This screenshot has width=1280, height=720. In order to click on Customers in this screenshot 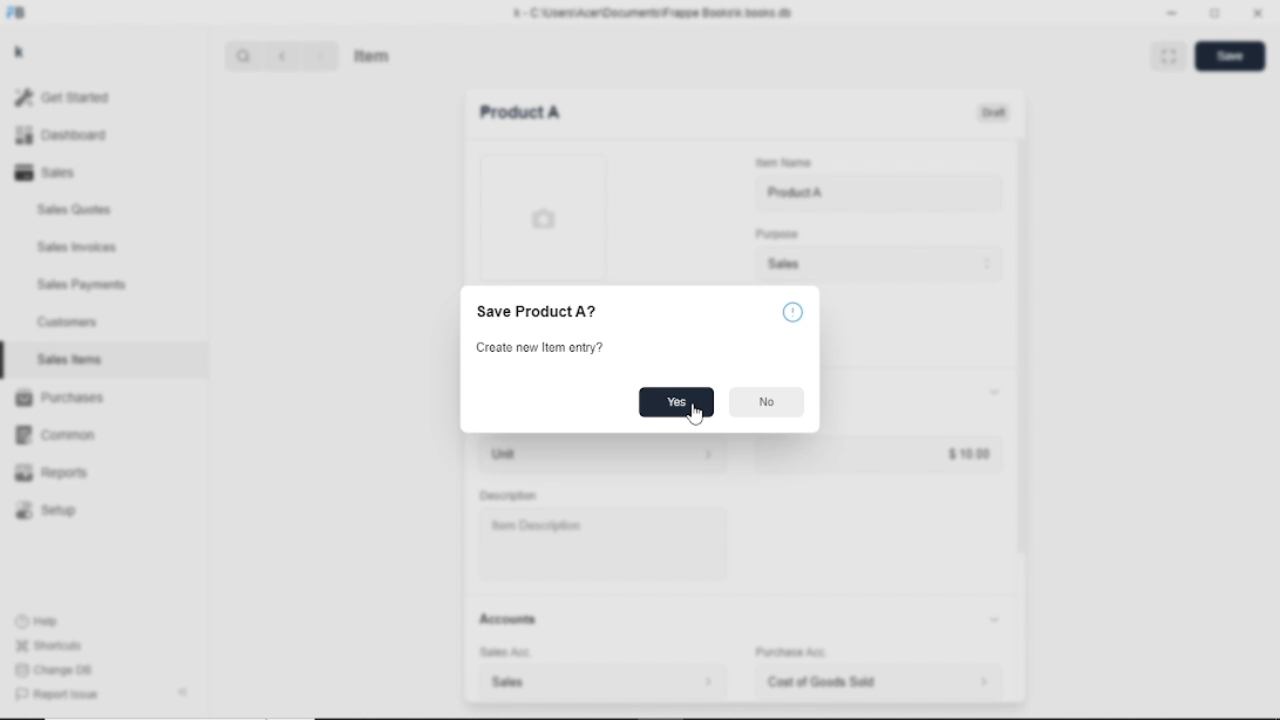, I will do `click(69, 321)`.